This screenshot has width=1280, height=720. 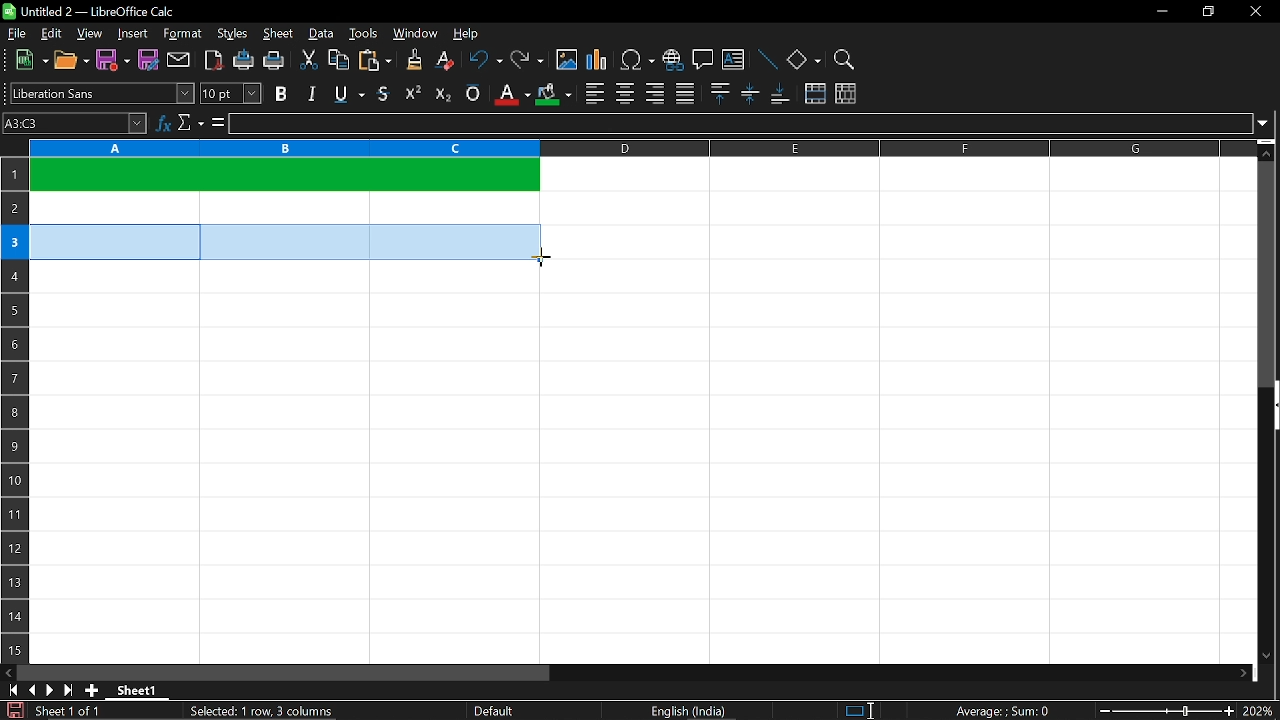 What do you see at coordinates (860, 711) in the screenshot?
I see `standard selection` at bounding box center [860, 711].